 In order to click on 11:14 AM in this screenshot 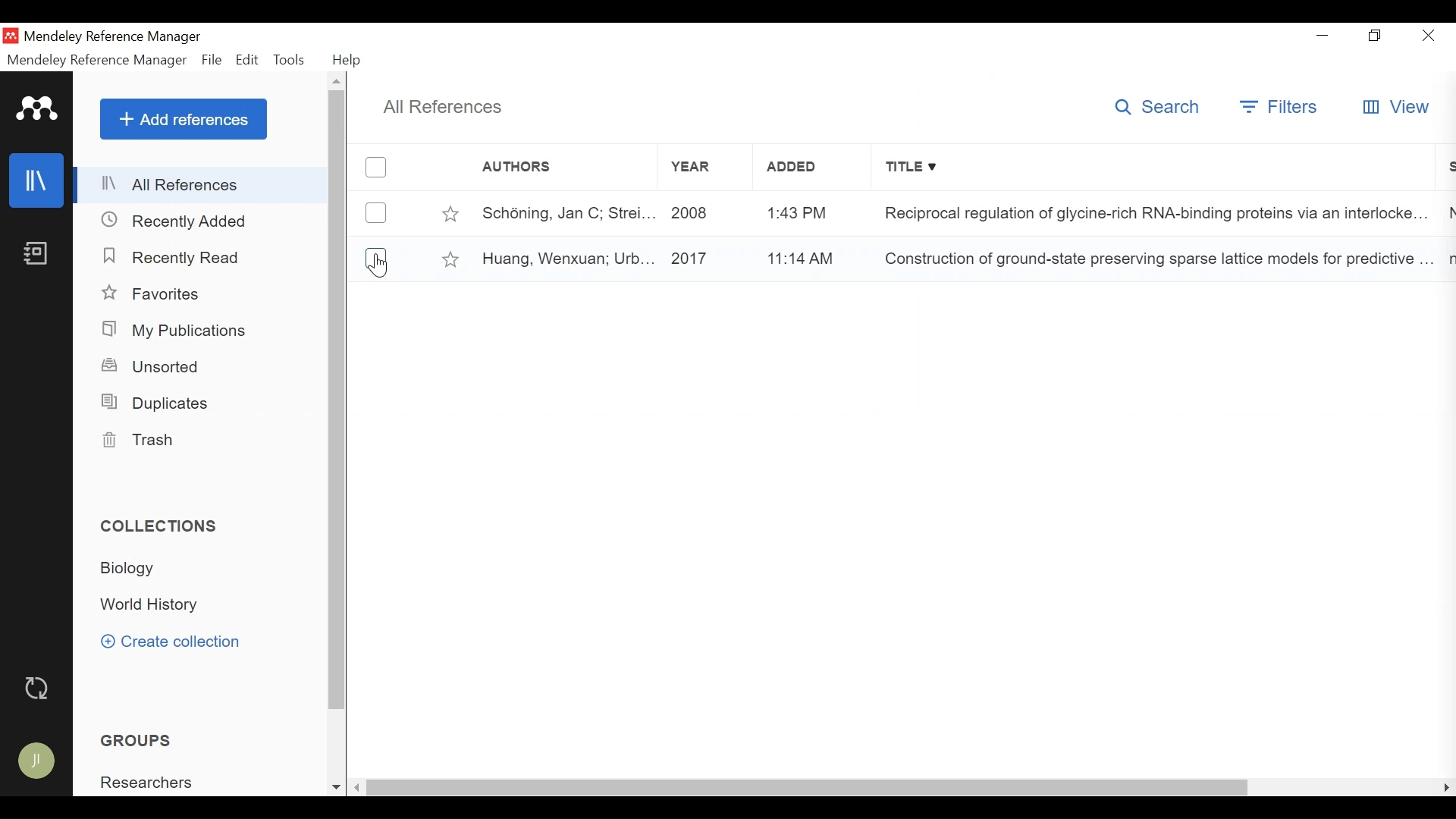, I will do `click(797, 259)`.